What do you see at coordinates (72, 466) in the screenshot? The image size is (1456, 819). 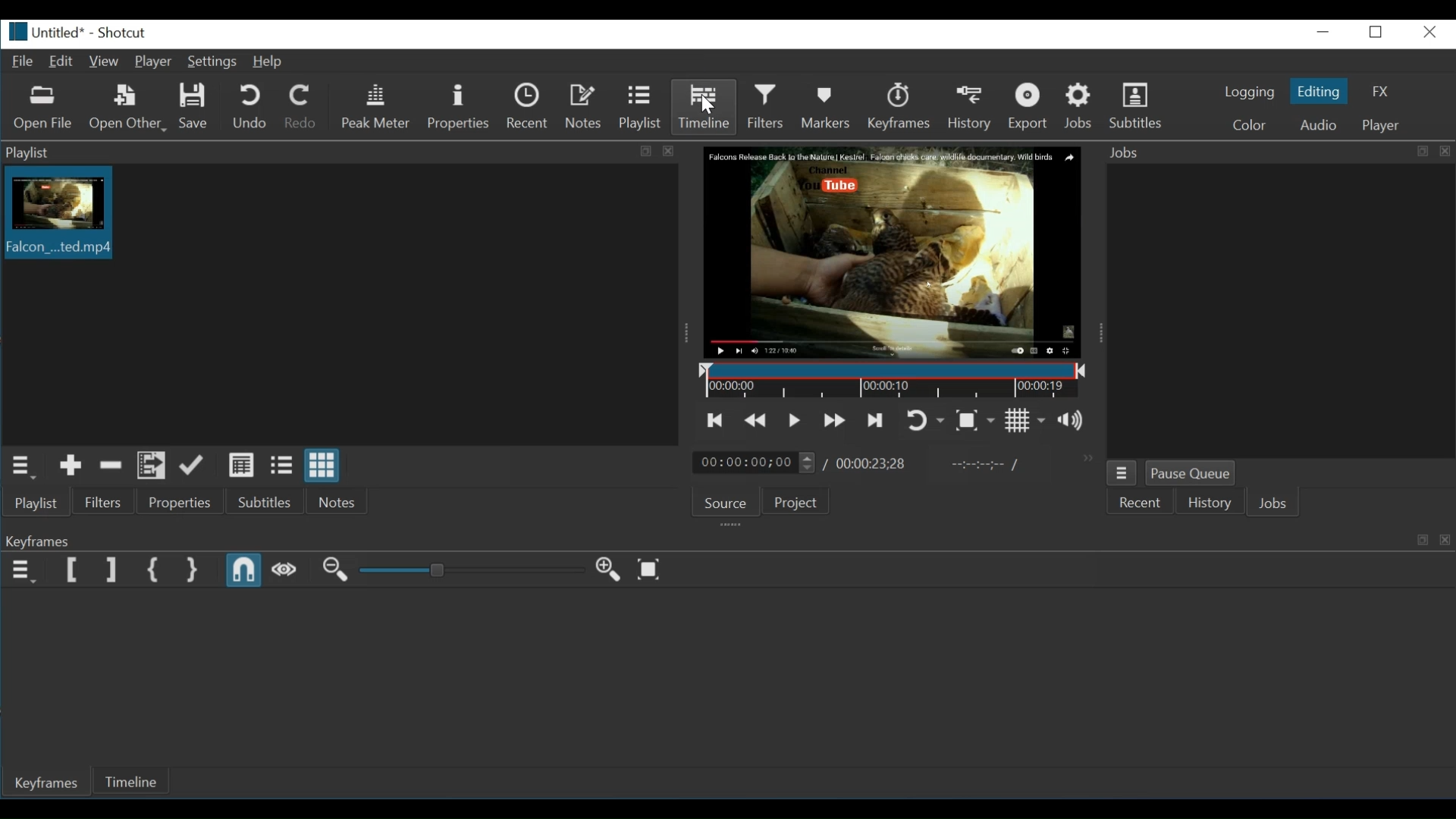 I see `Add the source to the playlist` at bounding box center [72, 466].